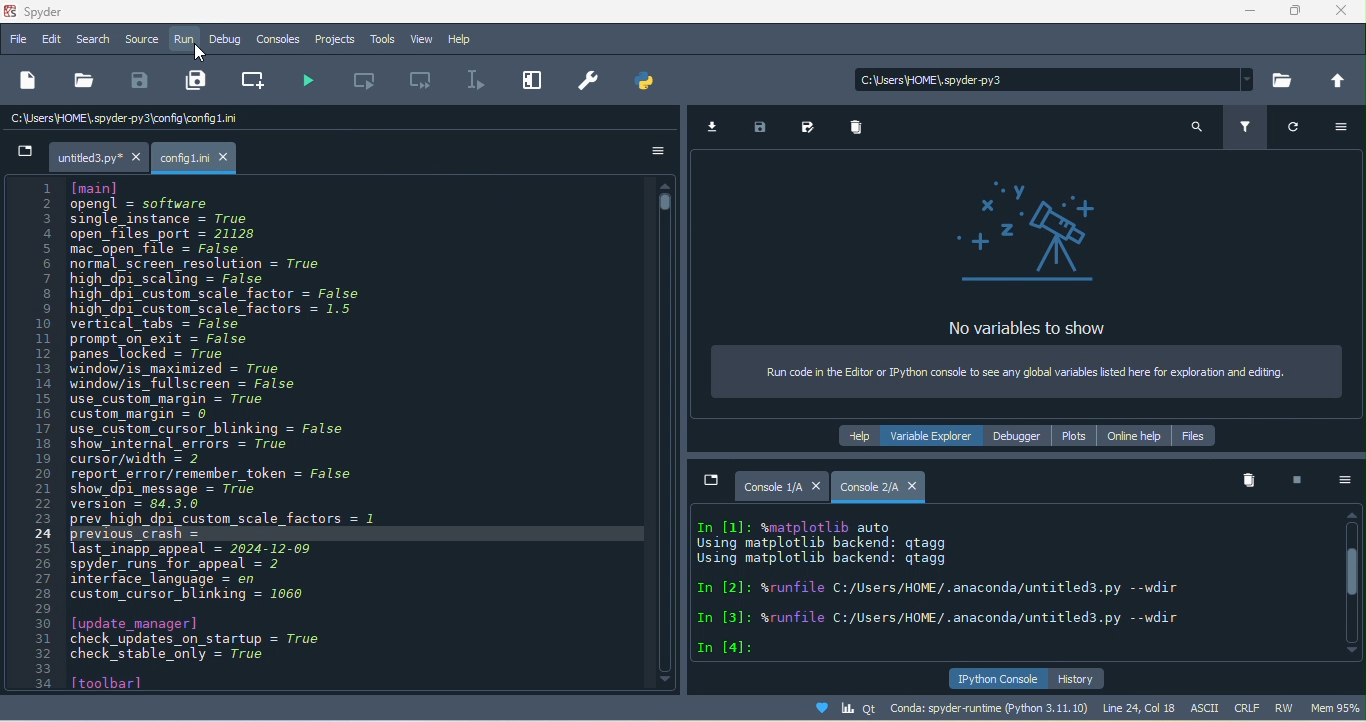  What do you see at coordinates (1080, 681) in the screenshot?
I see `history` at bounding box center [1080, 681].